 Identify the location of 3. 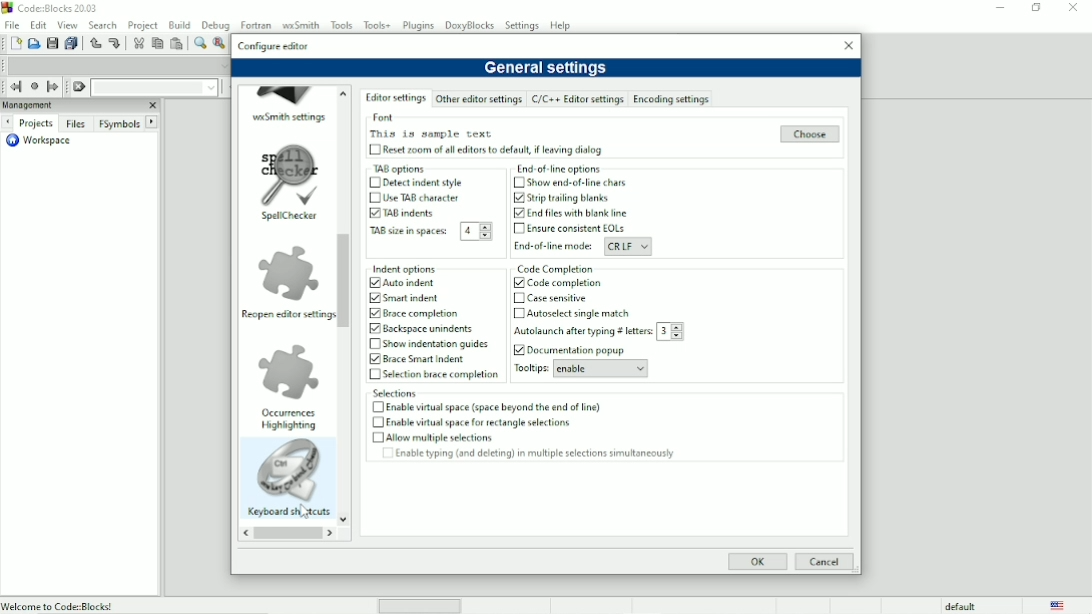
(662, 331).